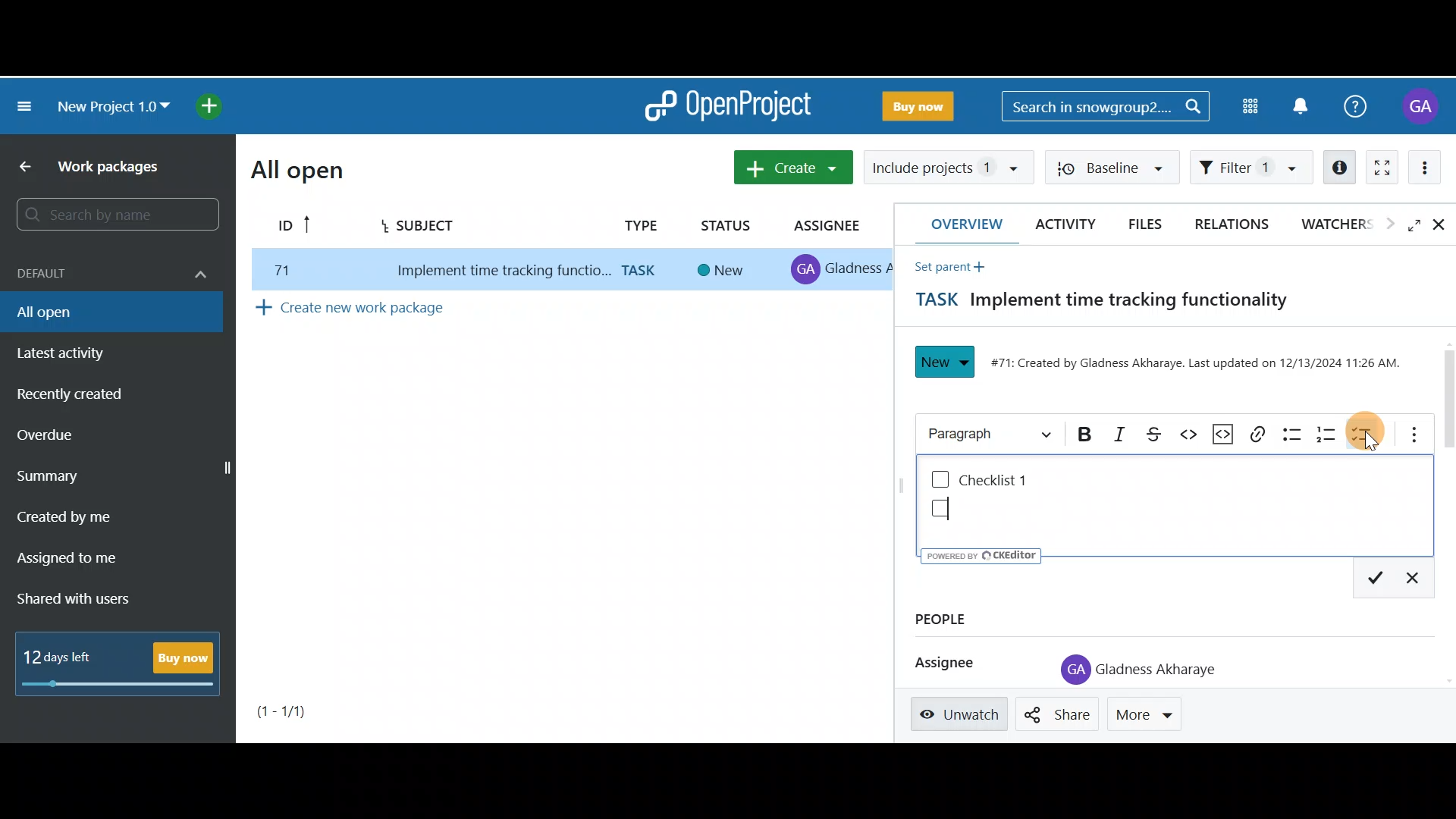  What do you see at coordinates (113, 215) in the screenshot?
I see `Search bar` at bounding box center [113, 215].